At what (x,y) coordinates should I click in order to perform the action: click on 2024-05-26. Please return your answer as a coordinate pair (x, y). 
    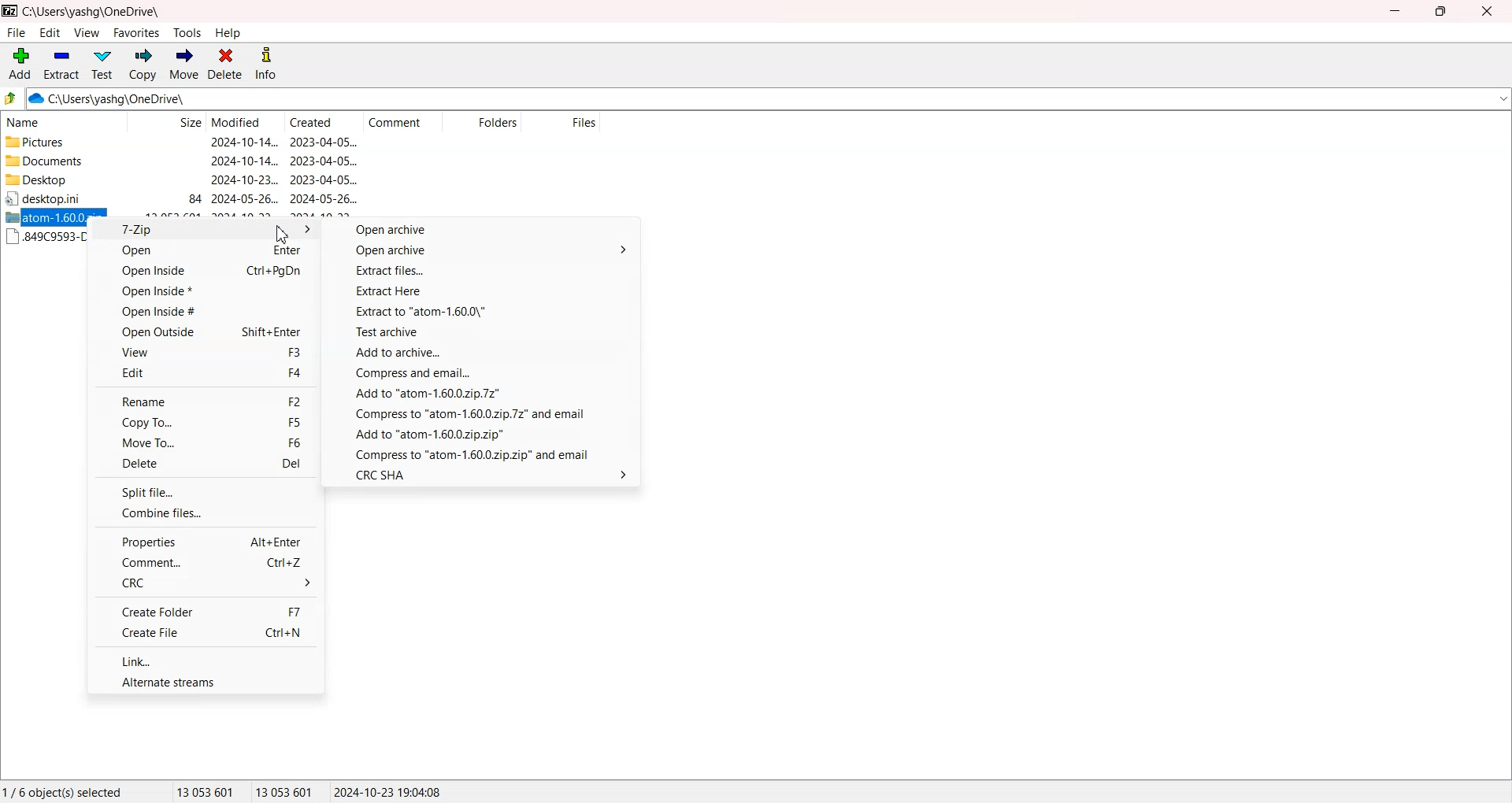
    Looking at the image, I should click on (324, 198).